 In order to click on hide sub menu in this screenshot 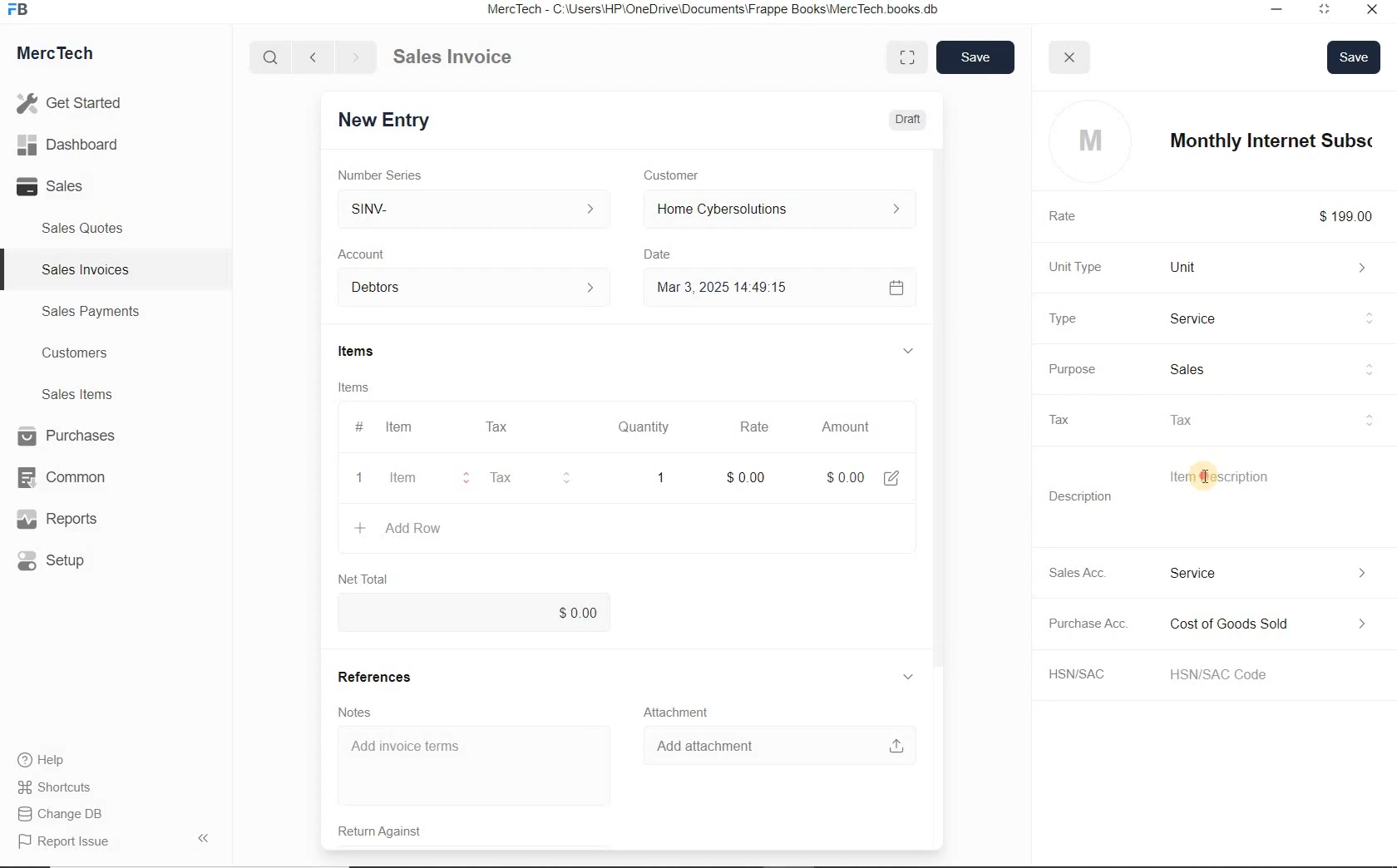, I will do `click(909, 677)`.